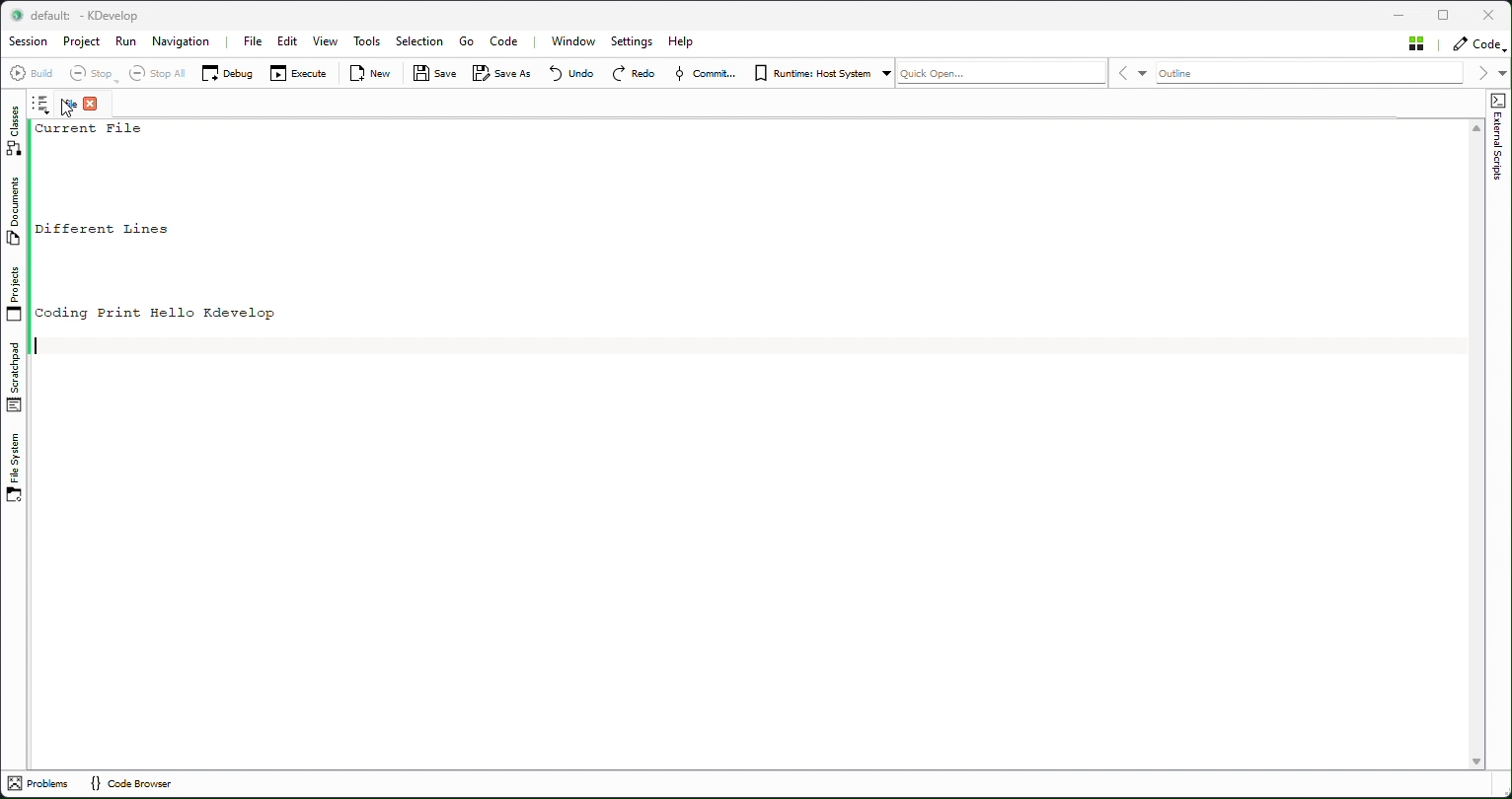 The height and width of the screenshot is (799, 1512). What do you see at coordinates (12, 132) in the screenshot?
I see `Classes` at bounding box center [12, 132].